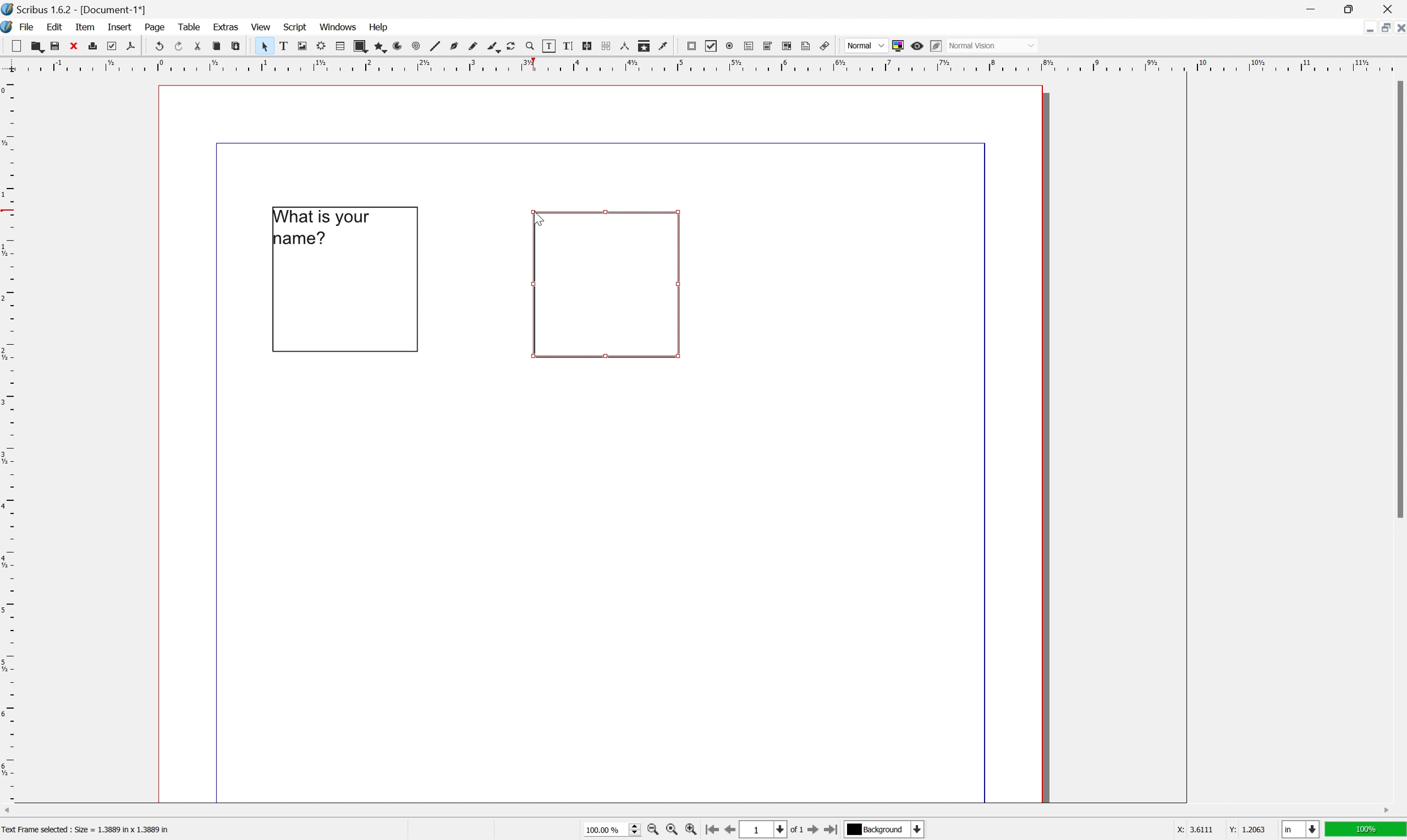 This screenshot has height=840, width=1407. I want to click on table, so click(189, 27).